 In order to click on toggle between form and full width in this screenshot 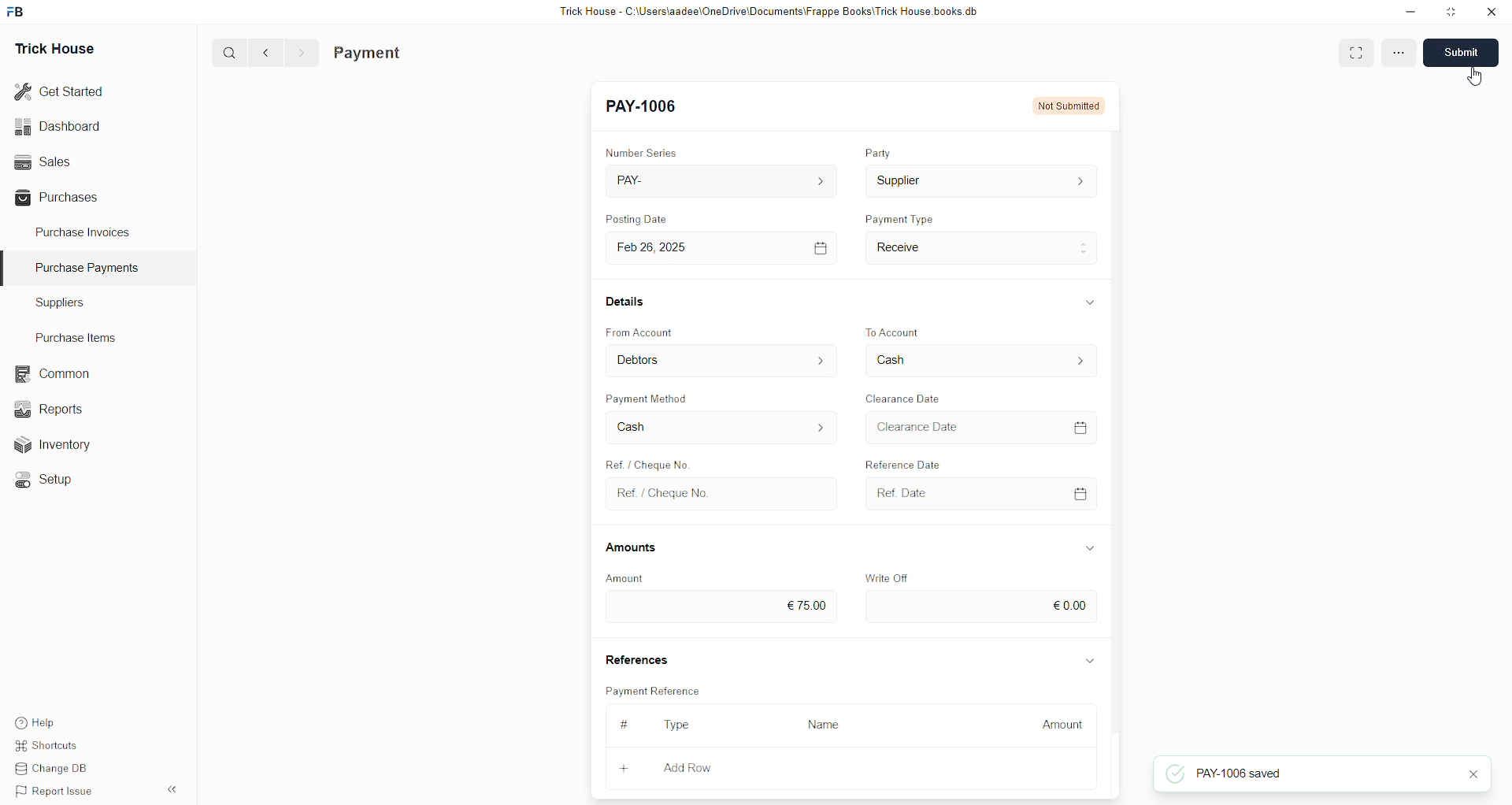, I will do `click(1355, 54)`.